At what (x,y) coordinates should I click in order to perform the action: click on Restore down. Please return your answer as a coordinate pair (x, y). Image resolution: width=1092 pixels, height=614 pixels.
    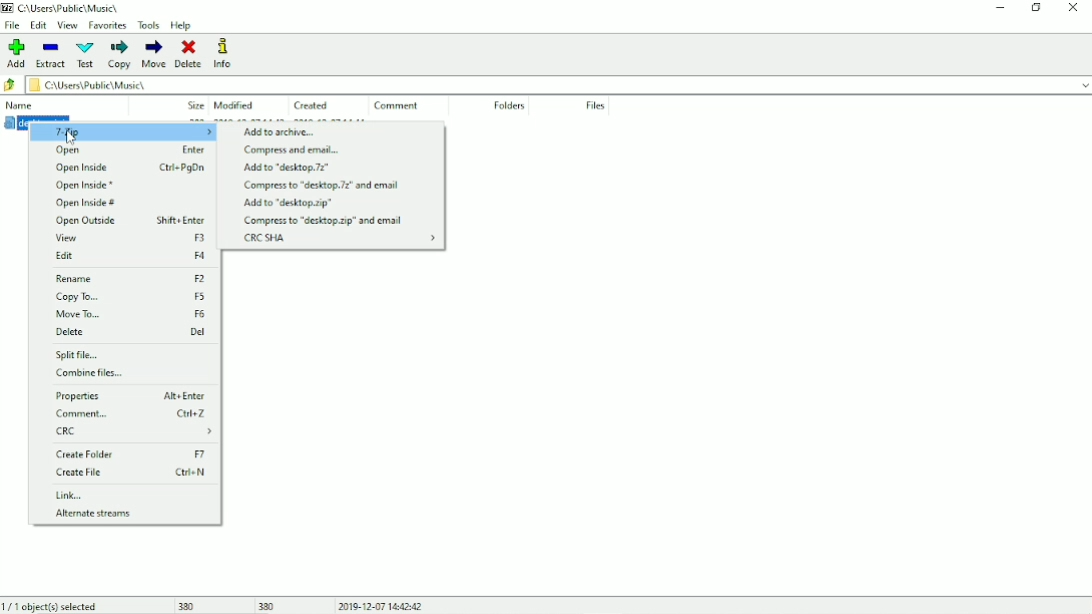
    Looking at the image, I should click on (1037, 7).